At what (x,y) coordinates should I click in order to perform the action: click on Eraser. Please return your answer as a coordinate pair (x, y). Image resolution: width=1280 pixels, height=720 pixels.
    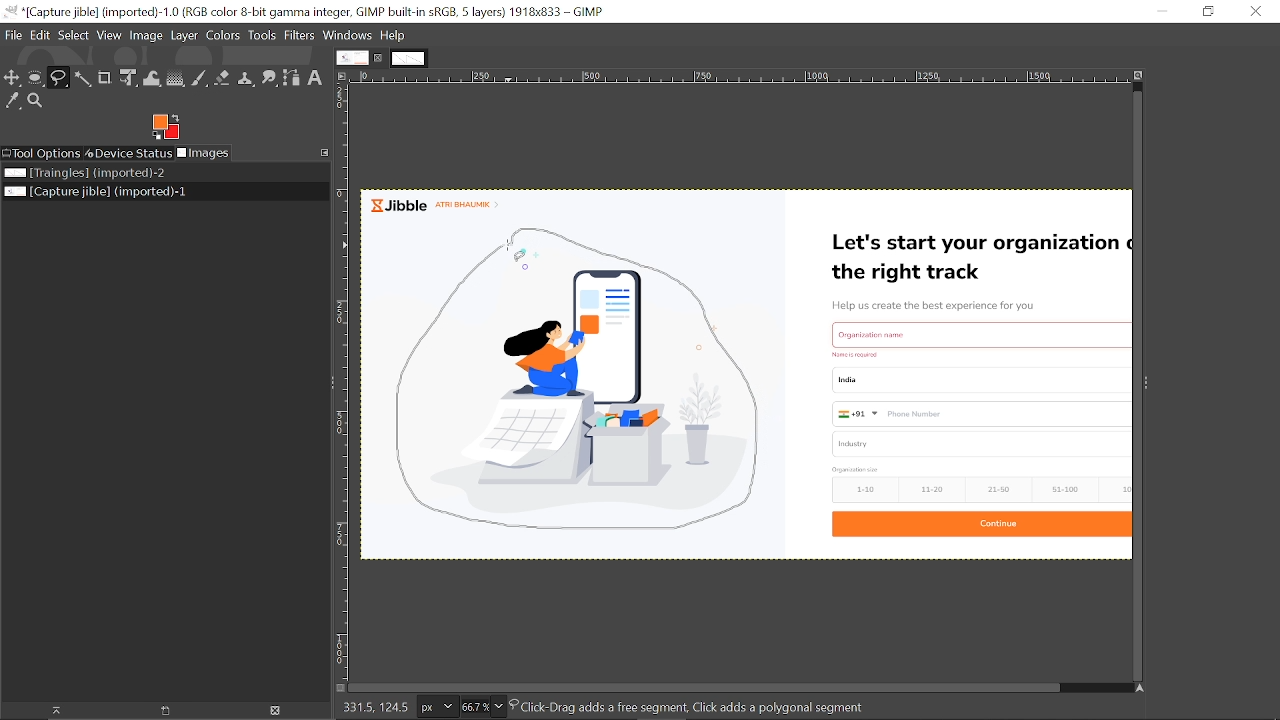
    Looking at the image, I should click on (222, 77).